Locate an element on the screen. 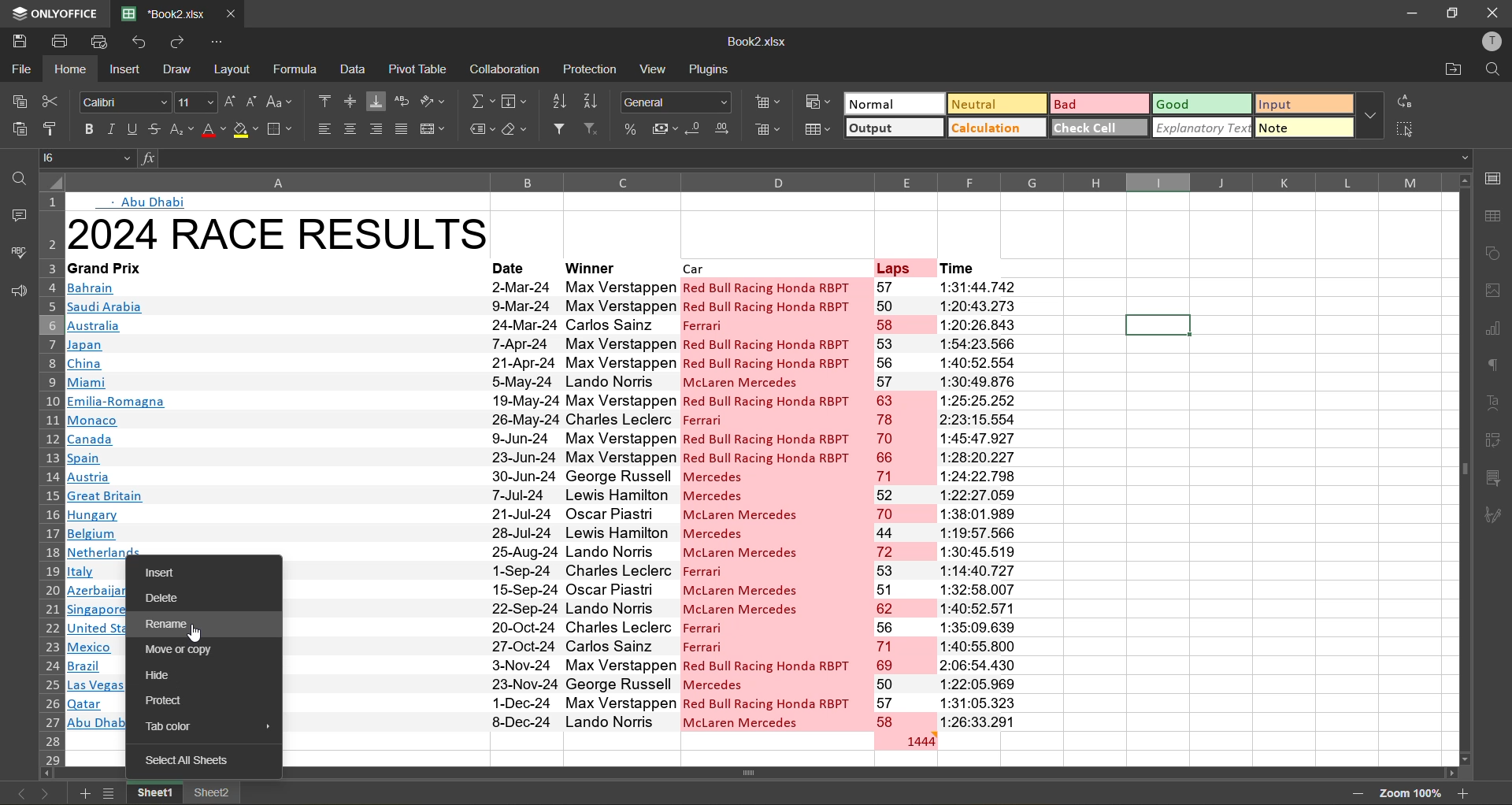  select all sheets is located at coordinates (183, 762).